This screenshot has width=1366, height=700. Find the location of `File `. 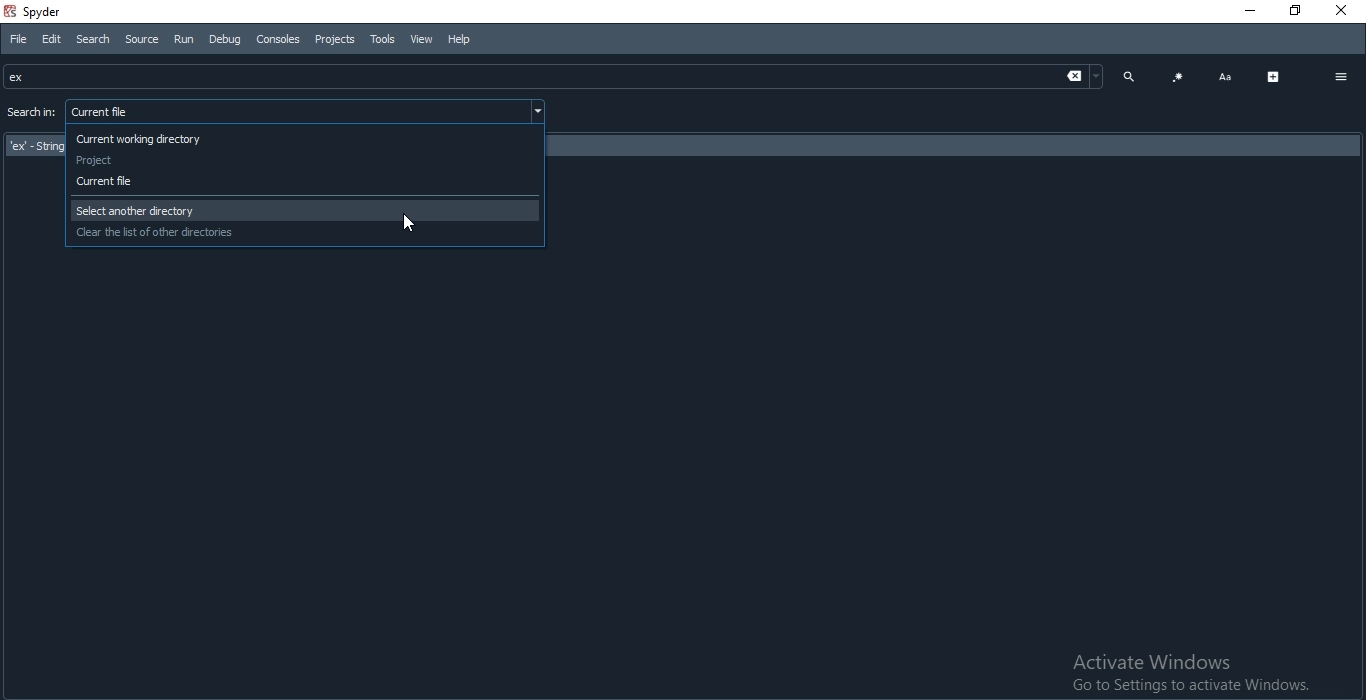

File  is located at coordinates (15, 39).